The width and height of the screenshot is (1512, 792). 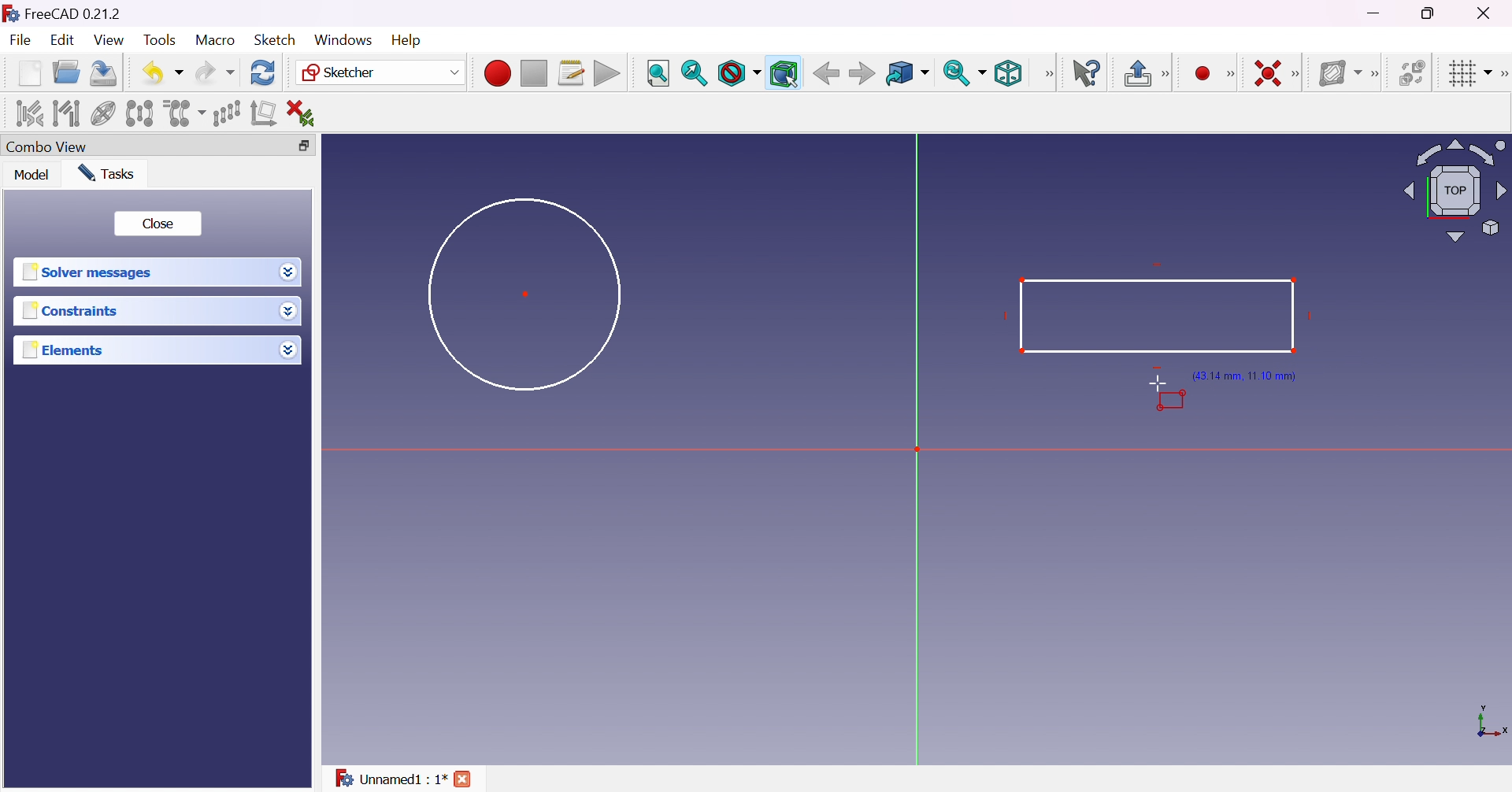 I want to click on Undo, so click(x=163, y=72).